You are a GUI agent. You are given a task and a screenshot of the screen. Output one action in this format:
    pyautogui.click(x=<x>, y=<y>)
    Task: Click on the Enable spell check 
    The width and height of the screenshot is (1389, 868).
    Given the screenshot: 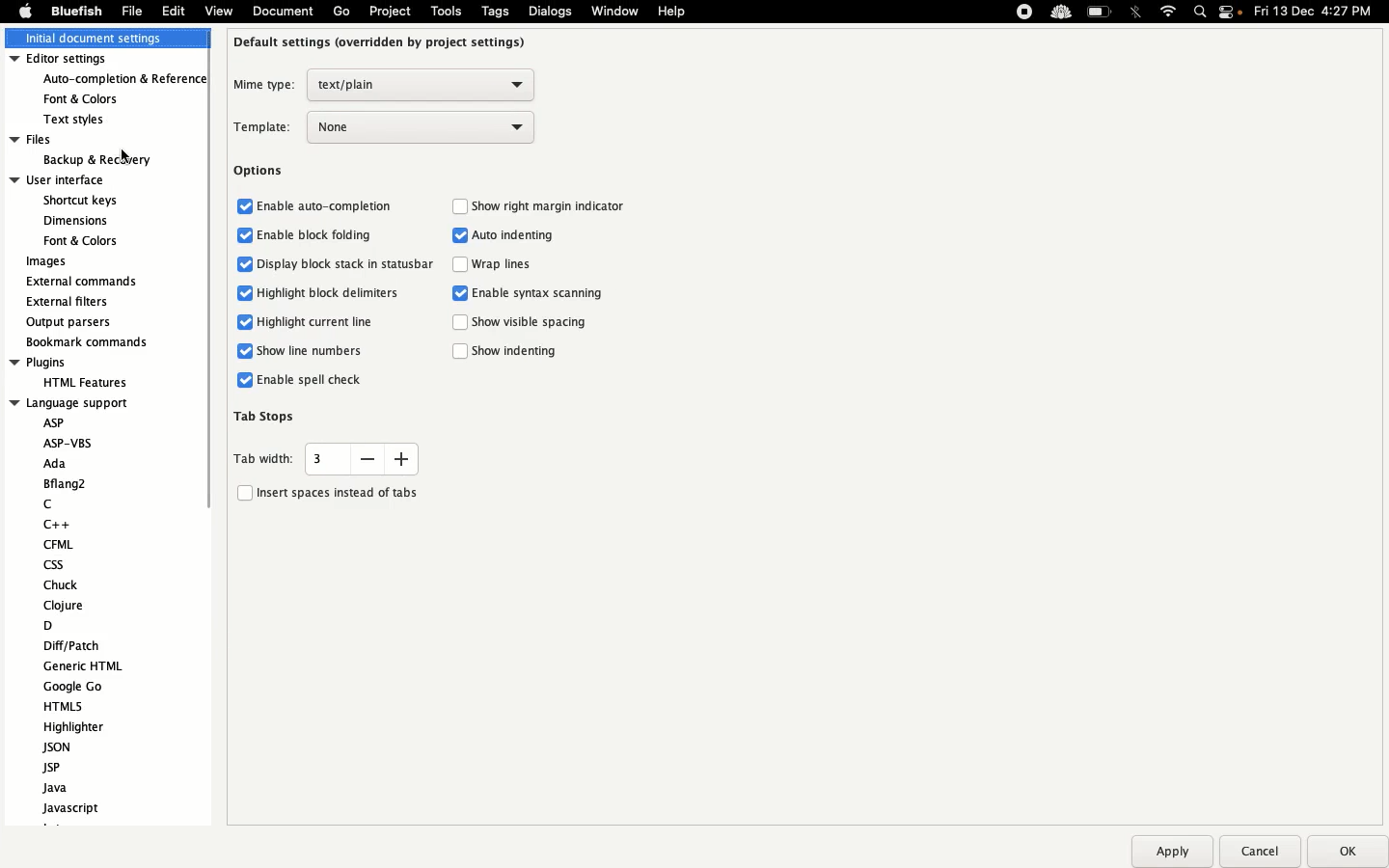 What is the action you would take?
    pyautogui.click(x=302, y=382)
    